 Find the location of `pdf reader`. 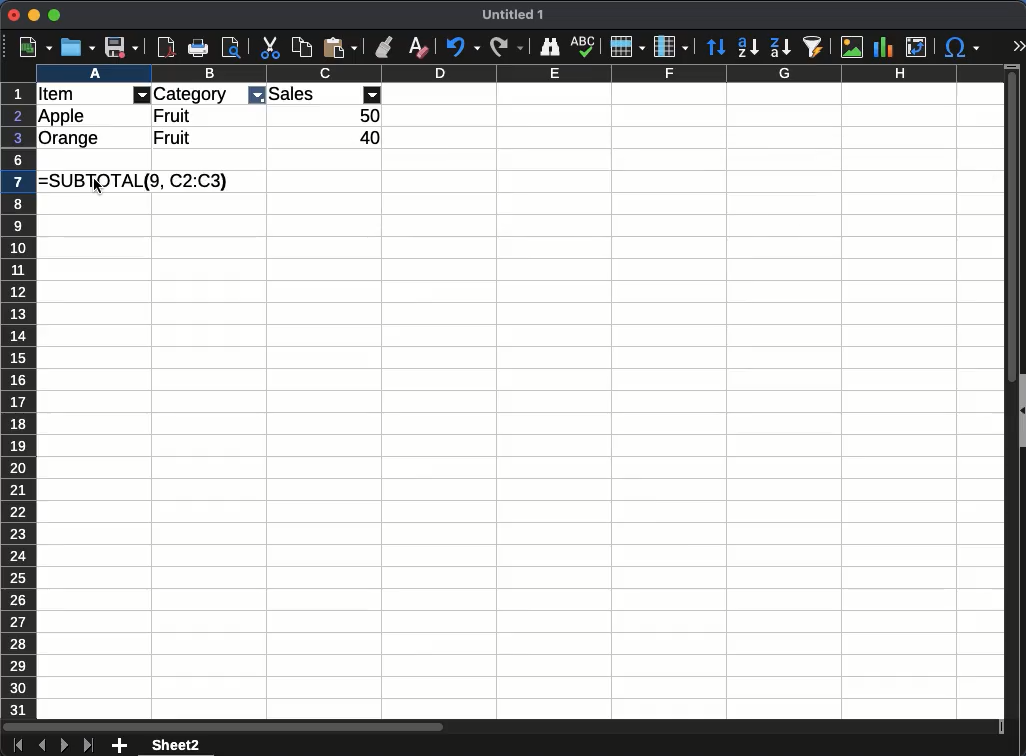

pdf reader is located at coordinates (166, 48).